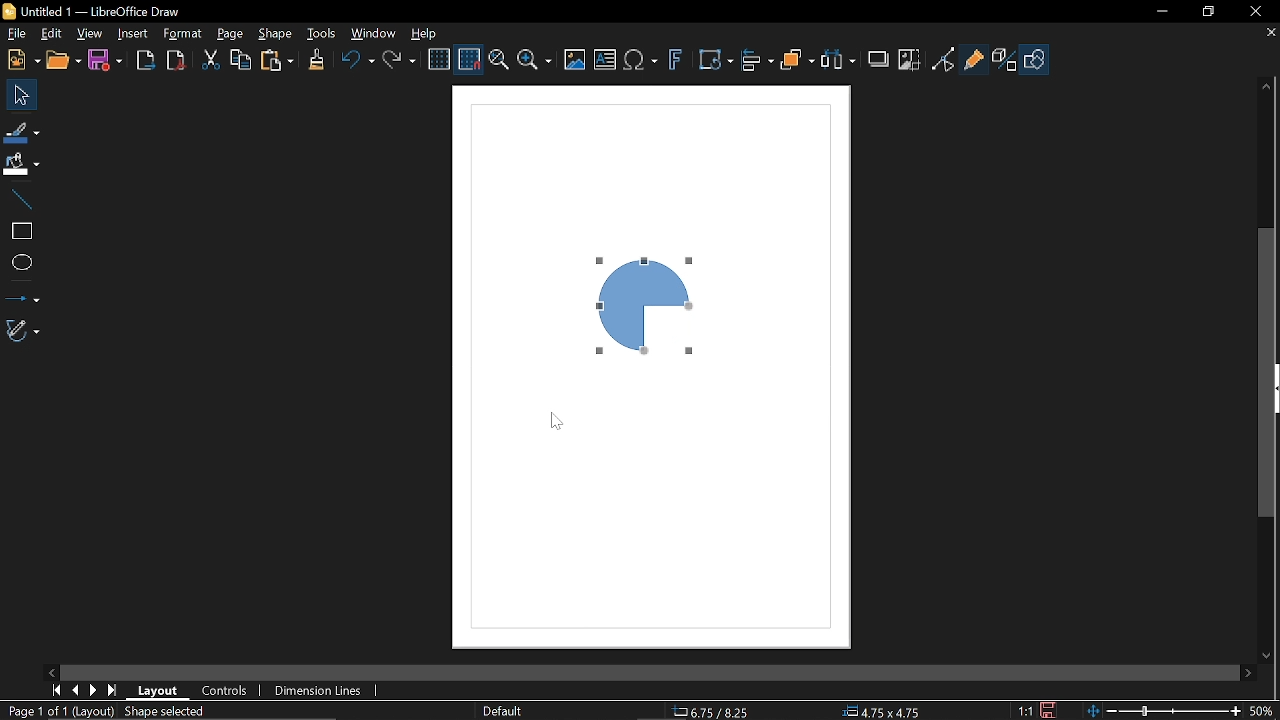 Image resolution: width=1280 pixels, height=720 pixels. What do you see at coordinates (1245, 672) in the screenshot?
I see `Move right` at bounding box center [1245, 672].